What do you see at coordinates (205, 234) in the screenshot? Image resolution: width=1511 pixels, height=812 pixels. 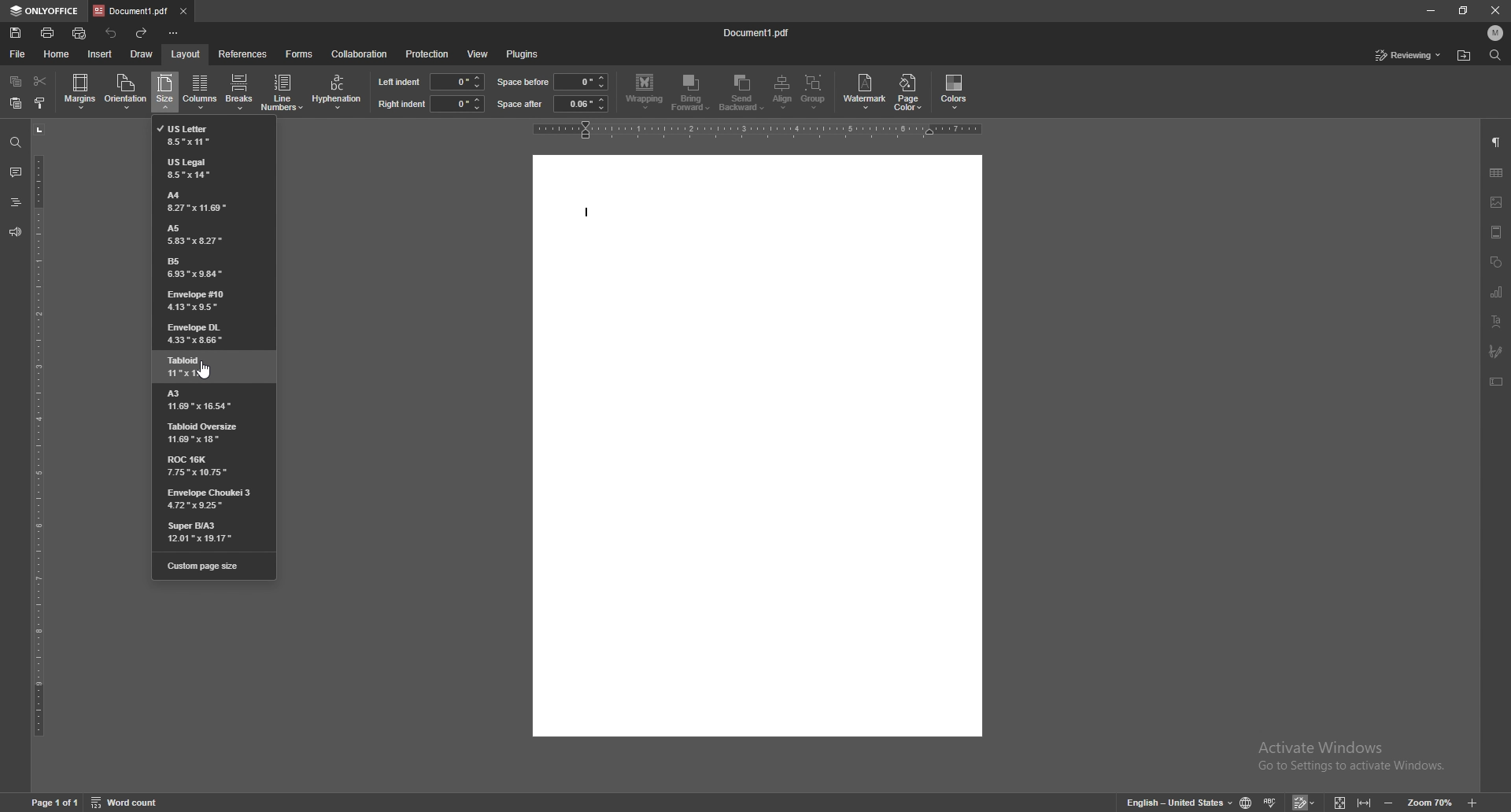 I see `a5` at bounding box center [205, 234].